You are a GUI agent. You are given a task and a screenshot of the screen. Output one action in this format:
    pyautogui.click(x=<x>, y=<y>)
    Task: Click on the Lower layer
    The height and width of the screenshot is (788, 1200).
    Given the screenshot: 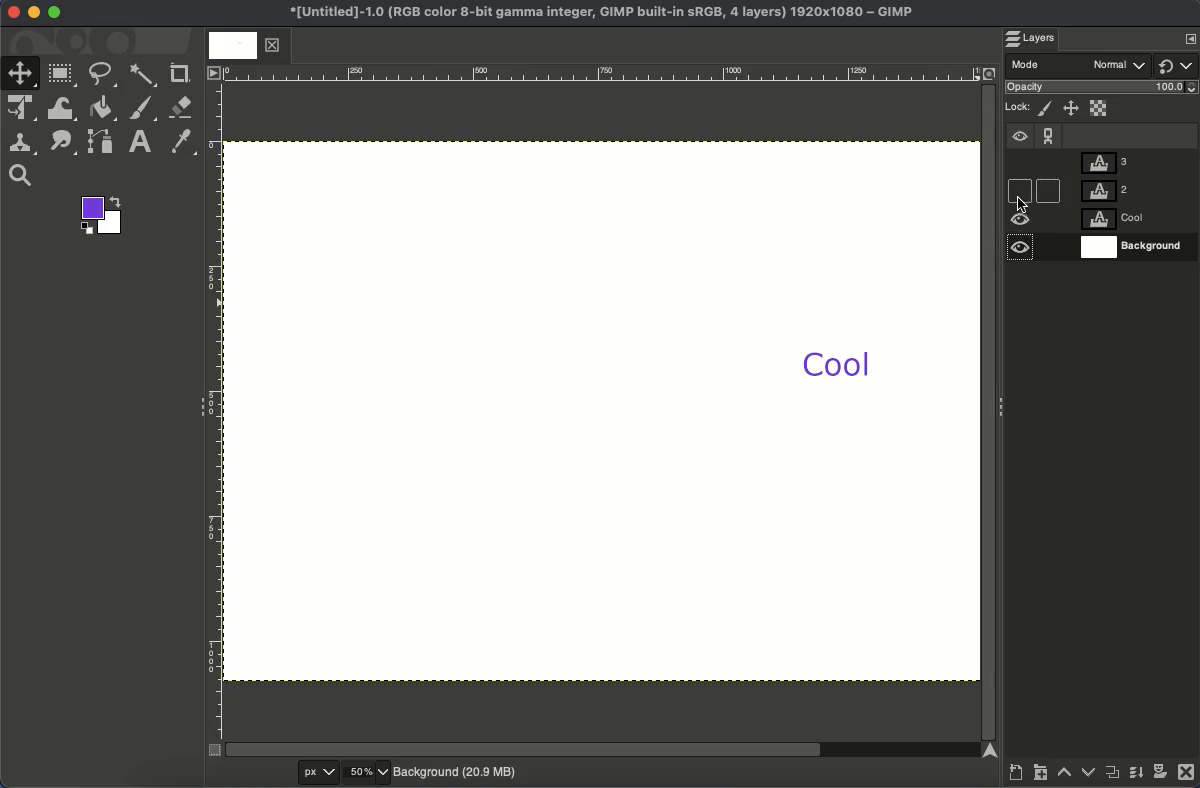 What is the action you would take?
    pyautogui.click(x=1087, y=775)
    